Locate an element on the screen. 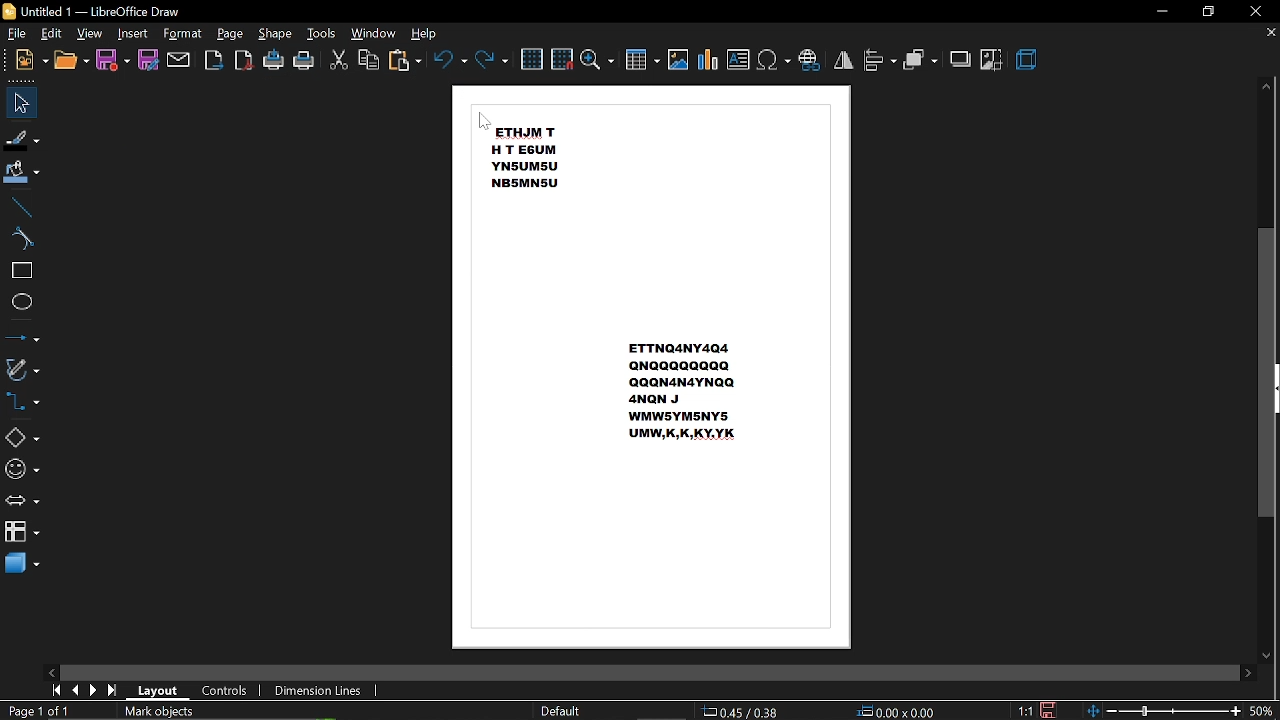 Image resolution: width=1280 pixels, height=720 pixels. Untitled 1 — LibreOffice Draw is located at coordinates (92, 11).